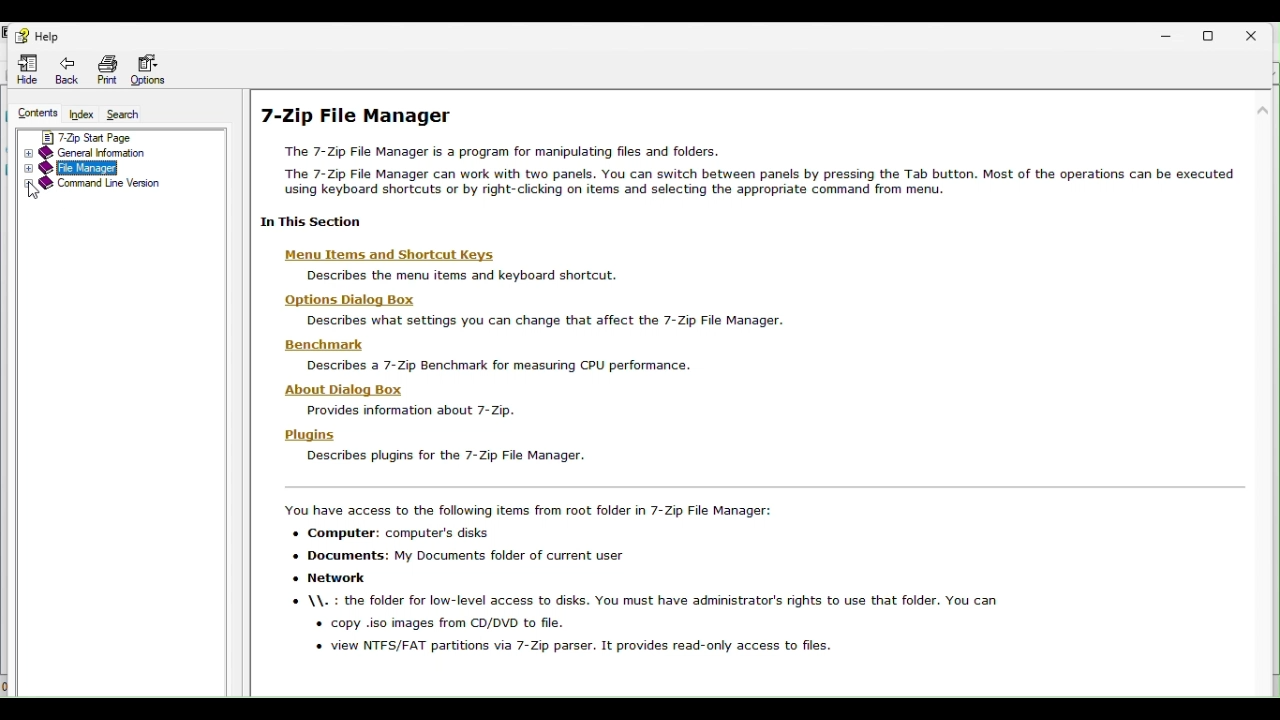 The width and height of the screenshot is (1280, 720). What do you see at coordinates (117, 167) in the screenshot?
I see `File manager ` at bounding box center [117, 167].